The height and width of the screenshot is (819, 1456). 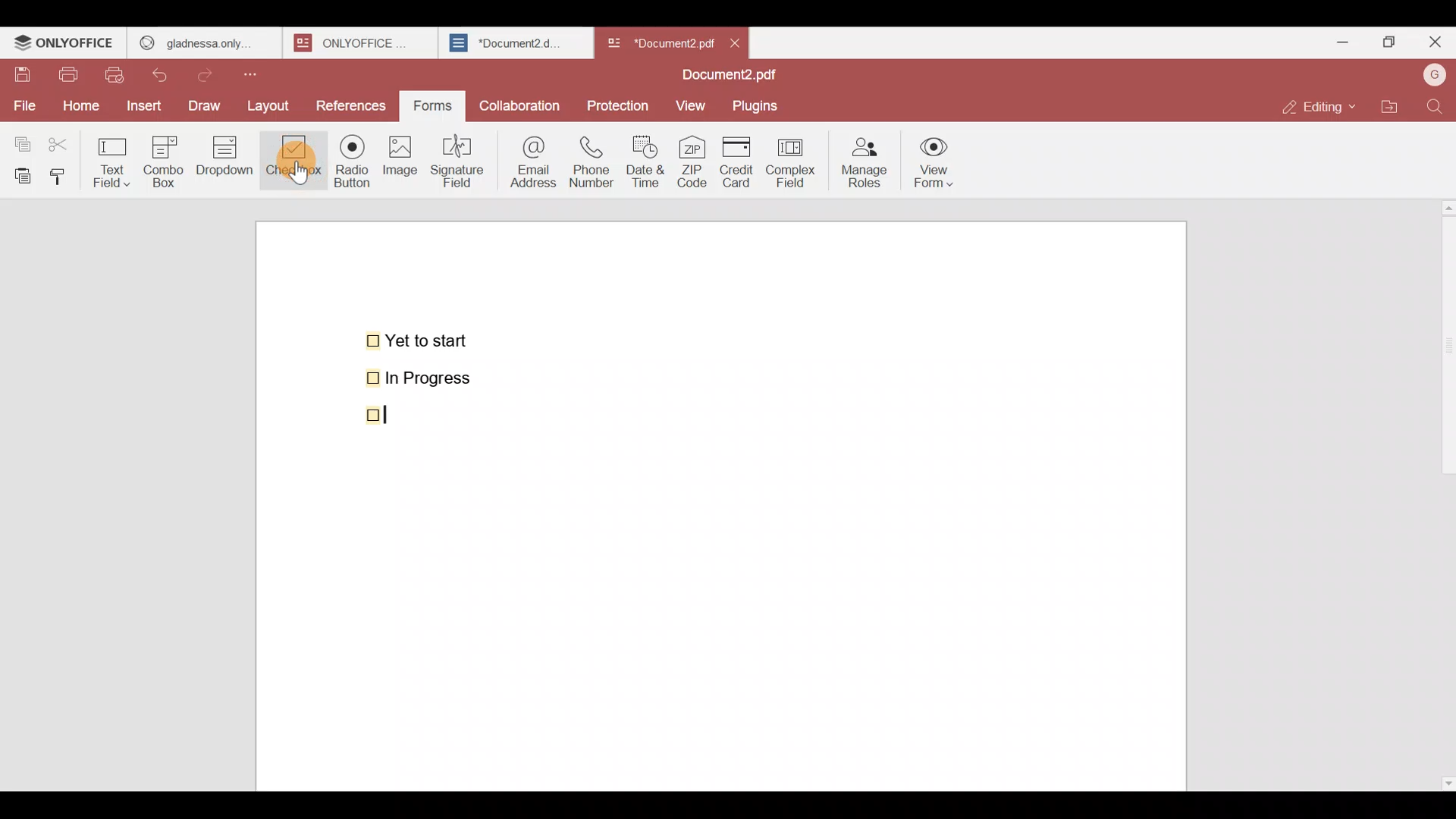 I want to click on gladness only, so click(x=203, y=39).